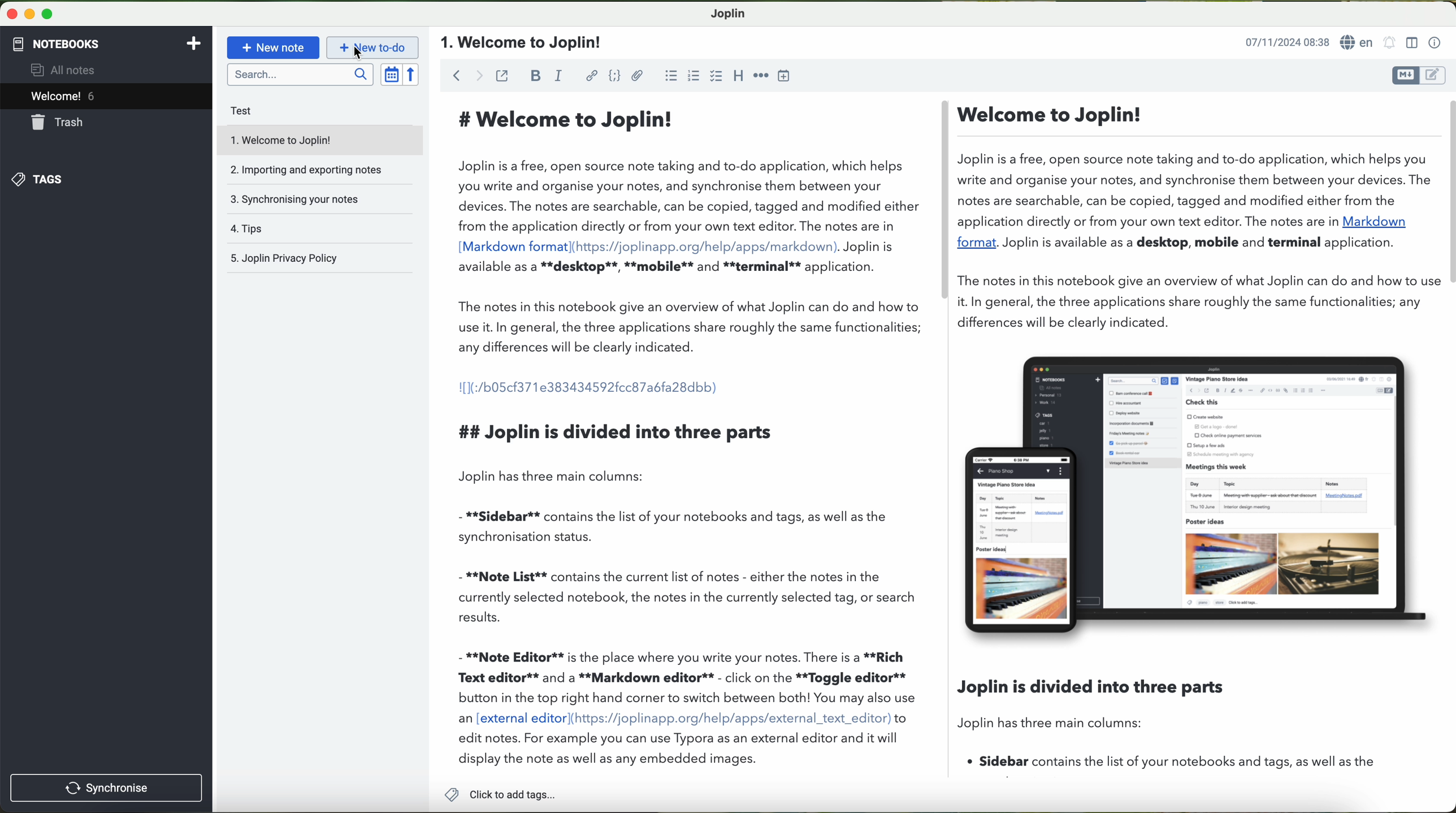 This screenshot has height=813, width=1456. What do you see at coordinates (728, 15) in the screenshot?
I see `Joplin` at bounding box center [728, 15].